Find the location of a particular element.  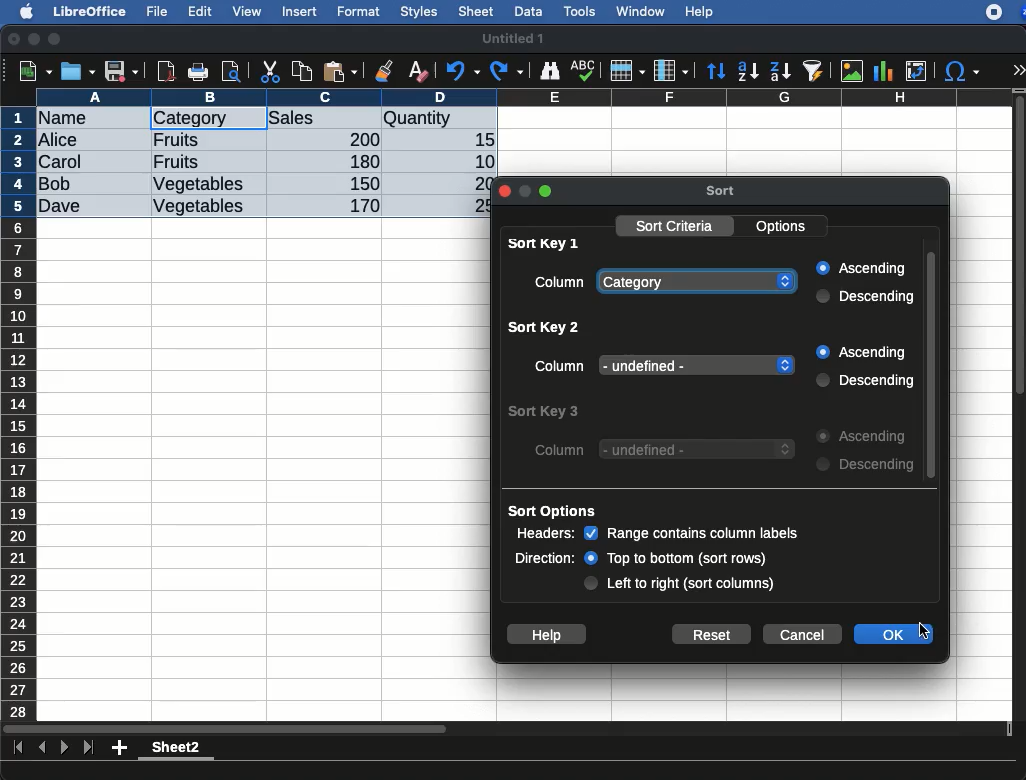

15 is located at coordinates (479, 140).